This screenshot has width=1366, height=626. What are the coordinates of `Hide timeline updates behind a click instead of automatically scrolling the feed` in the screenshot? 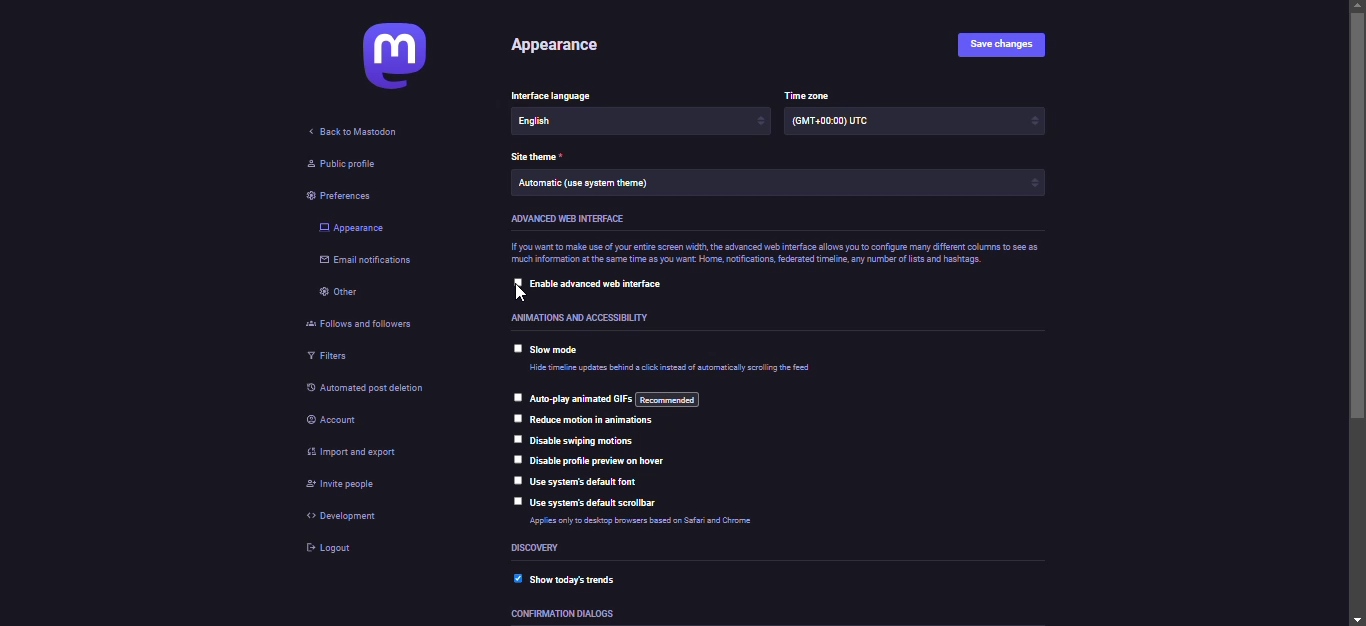 It's located at (670, 368).